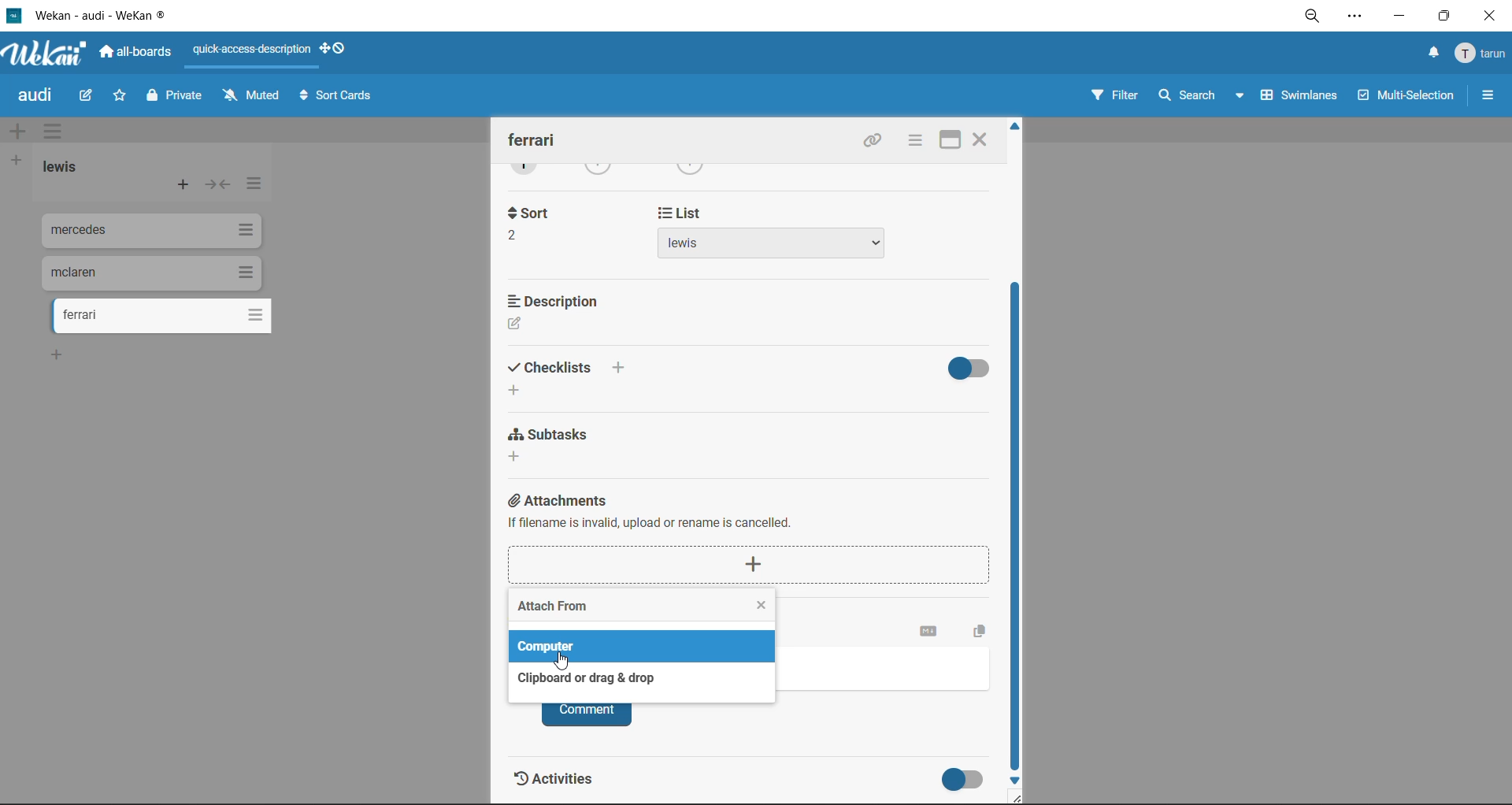 Image resolution: width=1512 pixels, height=805 pixels. I want to click on swimlane actions, so click(50, 129).